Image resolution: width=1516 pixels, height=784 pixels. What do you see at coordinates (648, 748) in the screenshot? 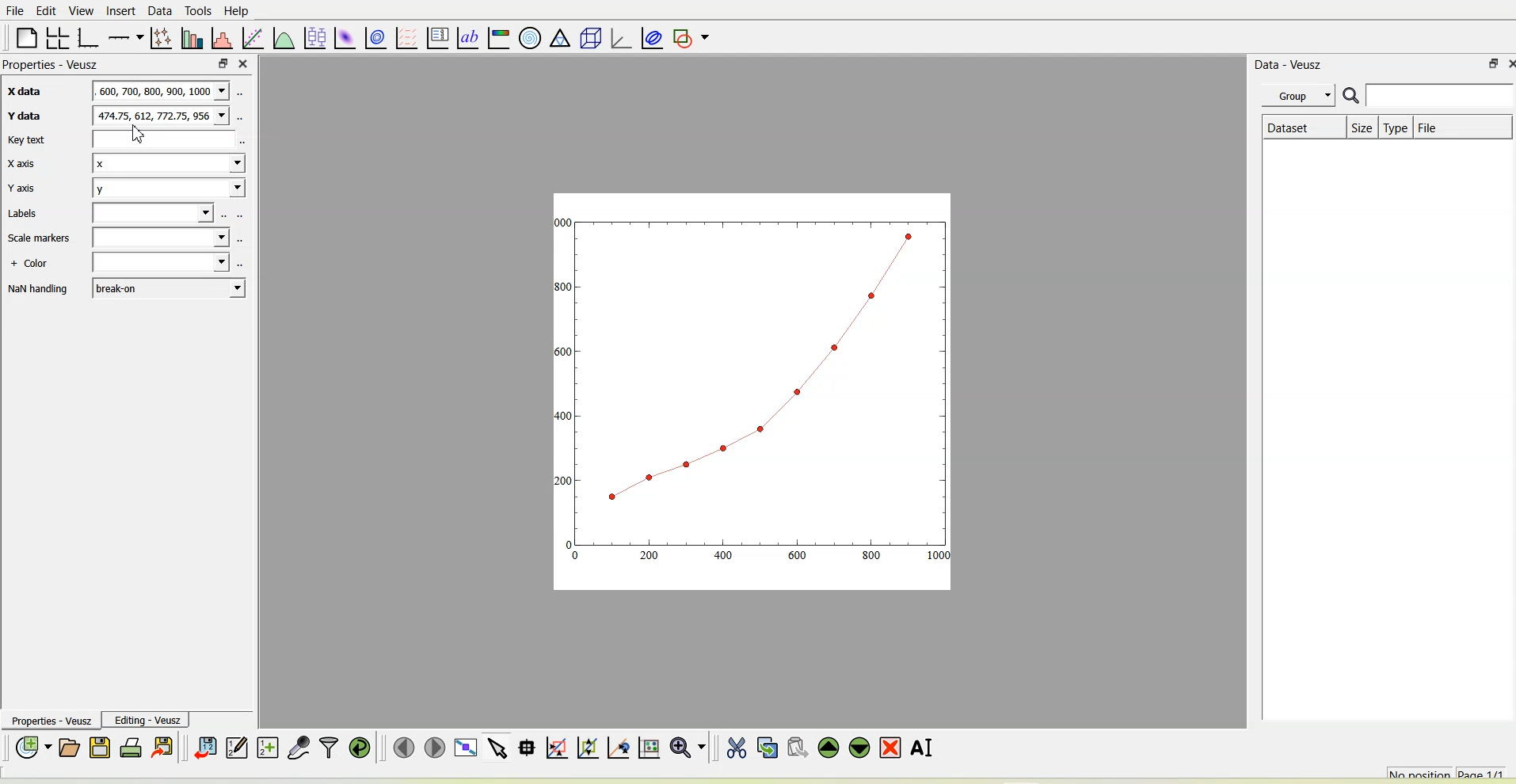
I see `Click to reset graph axes` at bounding box center [648, 748].